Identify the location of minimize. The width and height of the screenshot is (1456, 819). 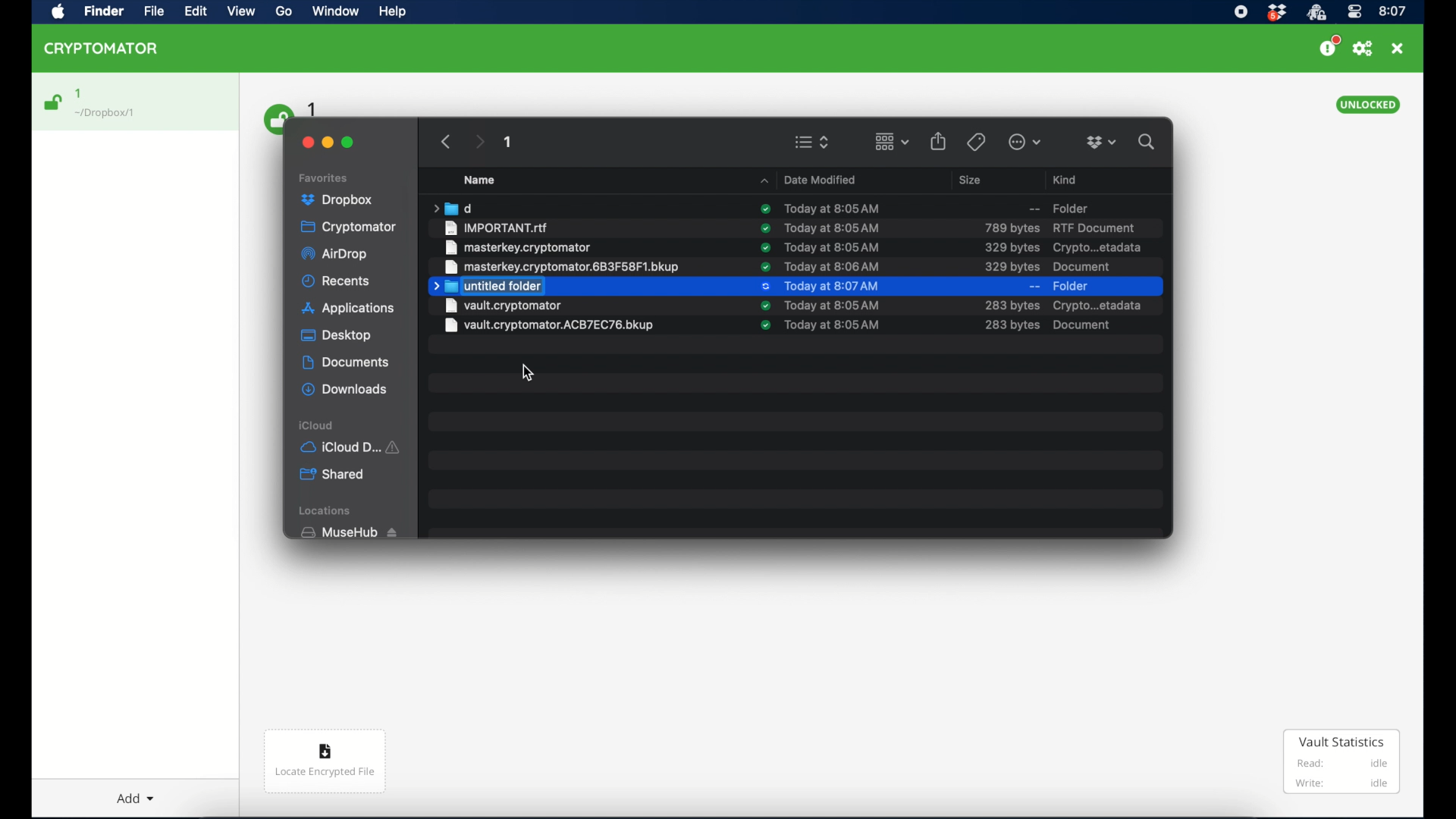
(329, 141).